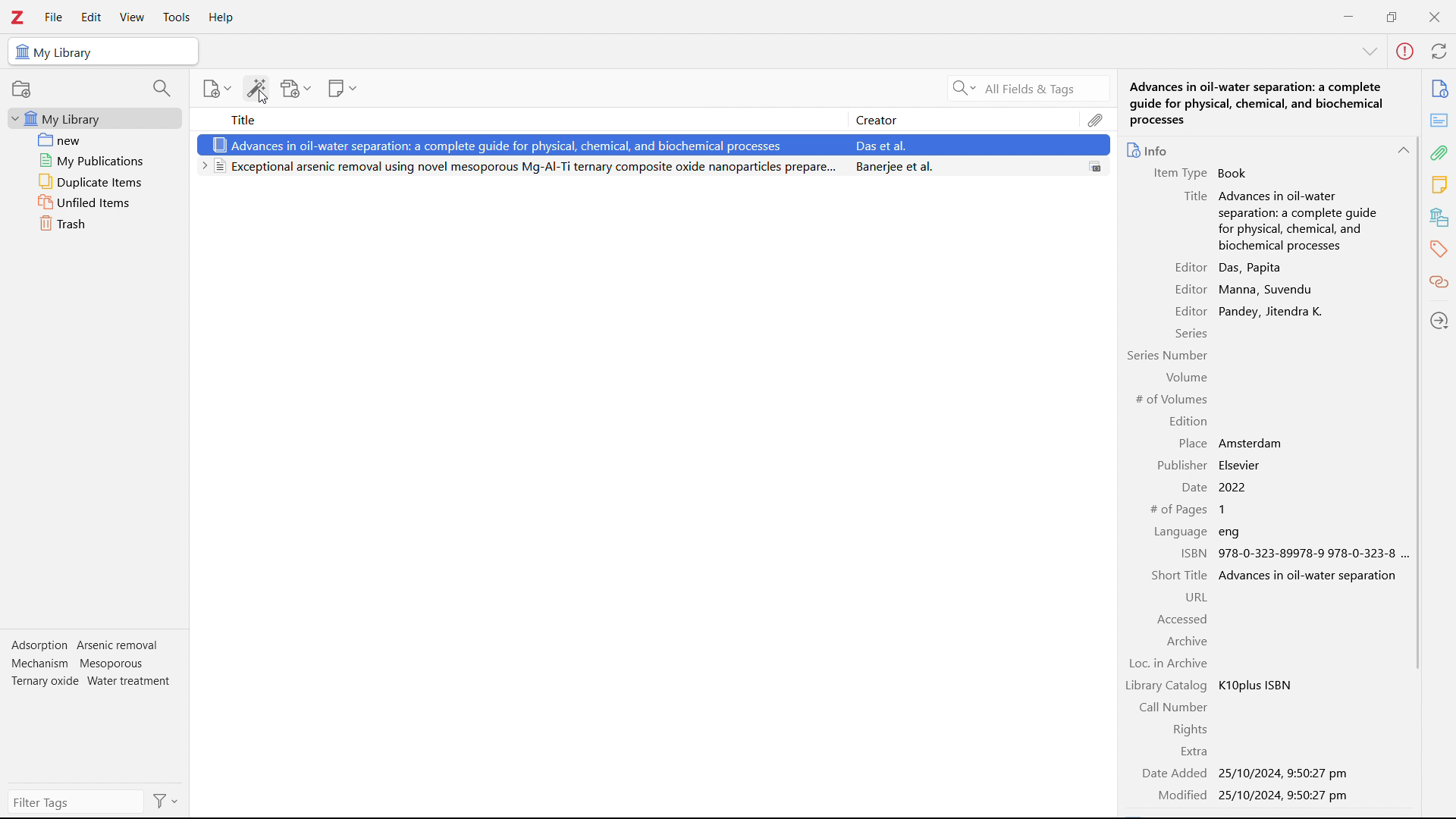  What do you see at coordinates (96, 140) in the screenshot?
I see `new` at bounding box center [96, 140].